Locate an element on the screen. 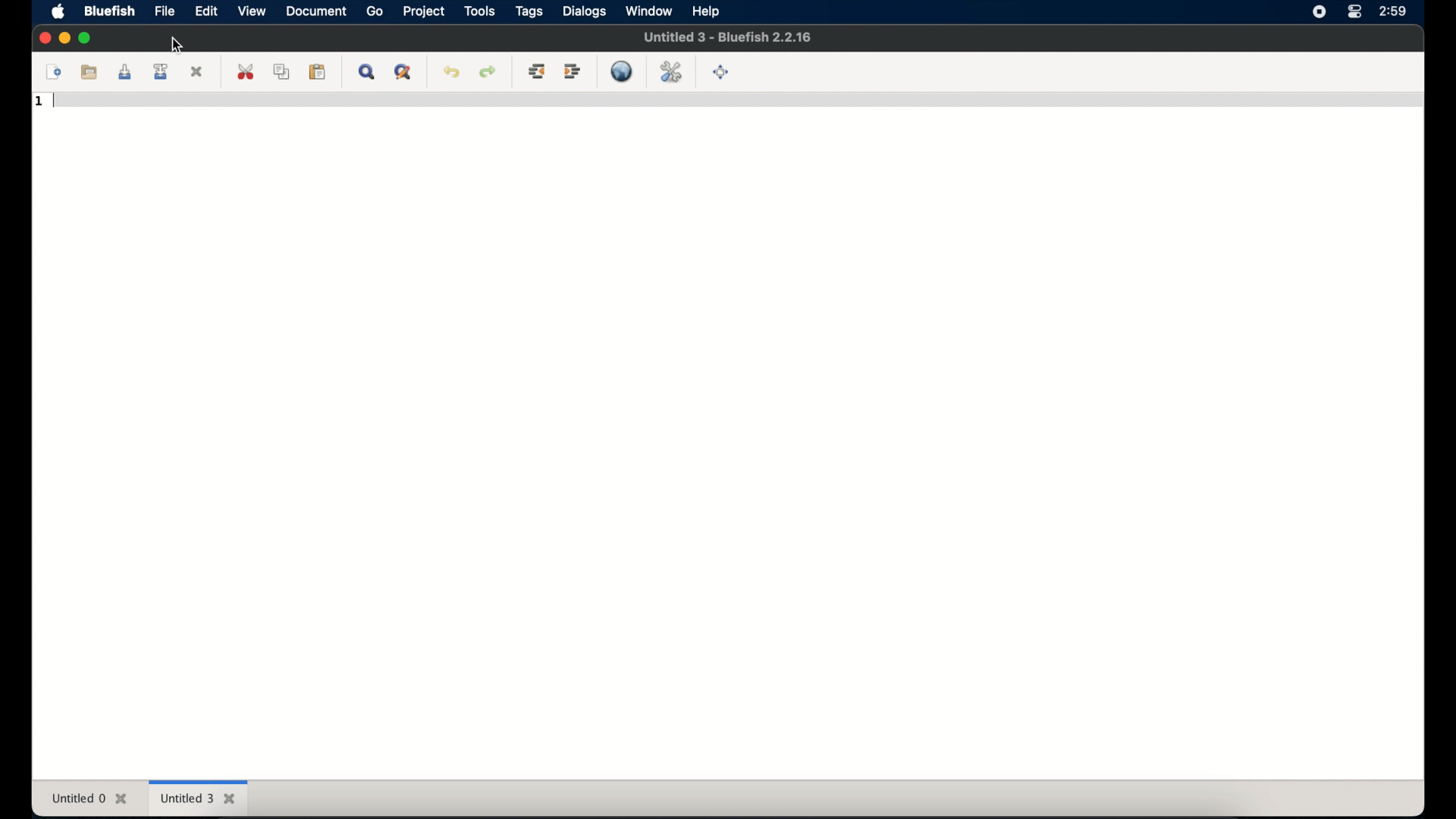  1 is located at coordinates (39, 102).